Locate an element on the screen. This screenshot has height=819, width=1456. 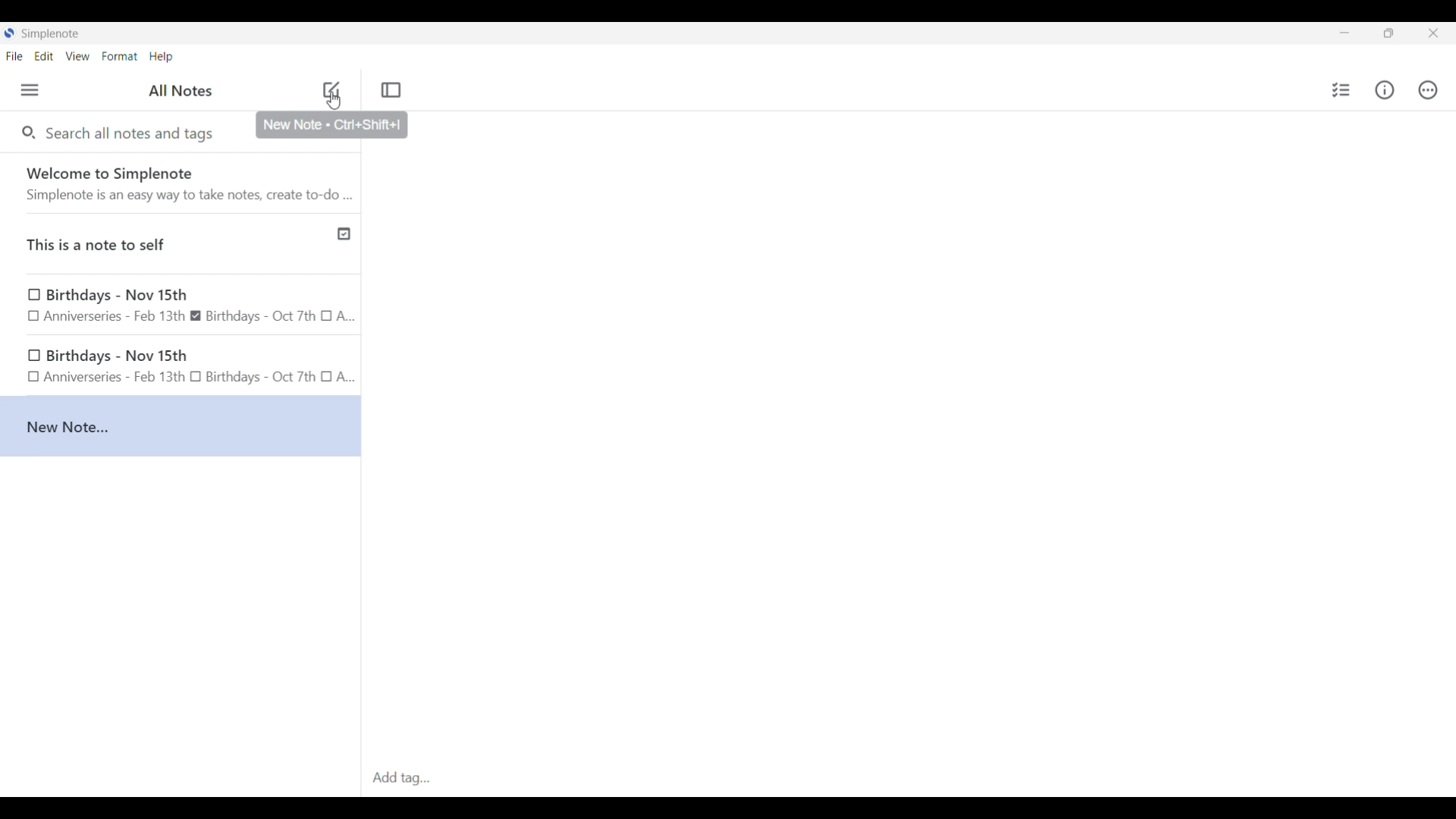
Help menu is located at coordinates (161, 56).